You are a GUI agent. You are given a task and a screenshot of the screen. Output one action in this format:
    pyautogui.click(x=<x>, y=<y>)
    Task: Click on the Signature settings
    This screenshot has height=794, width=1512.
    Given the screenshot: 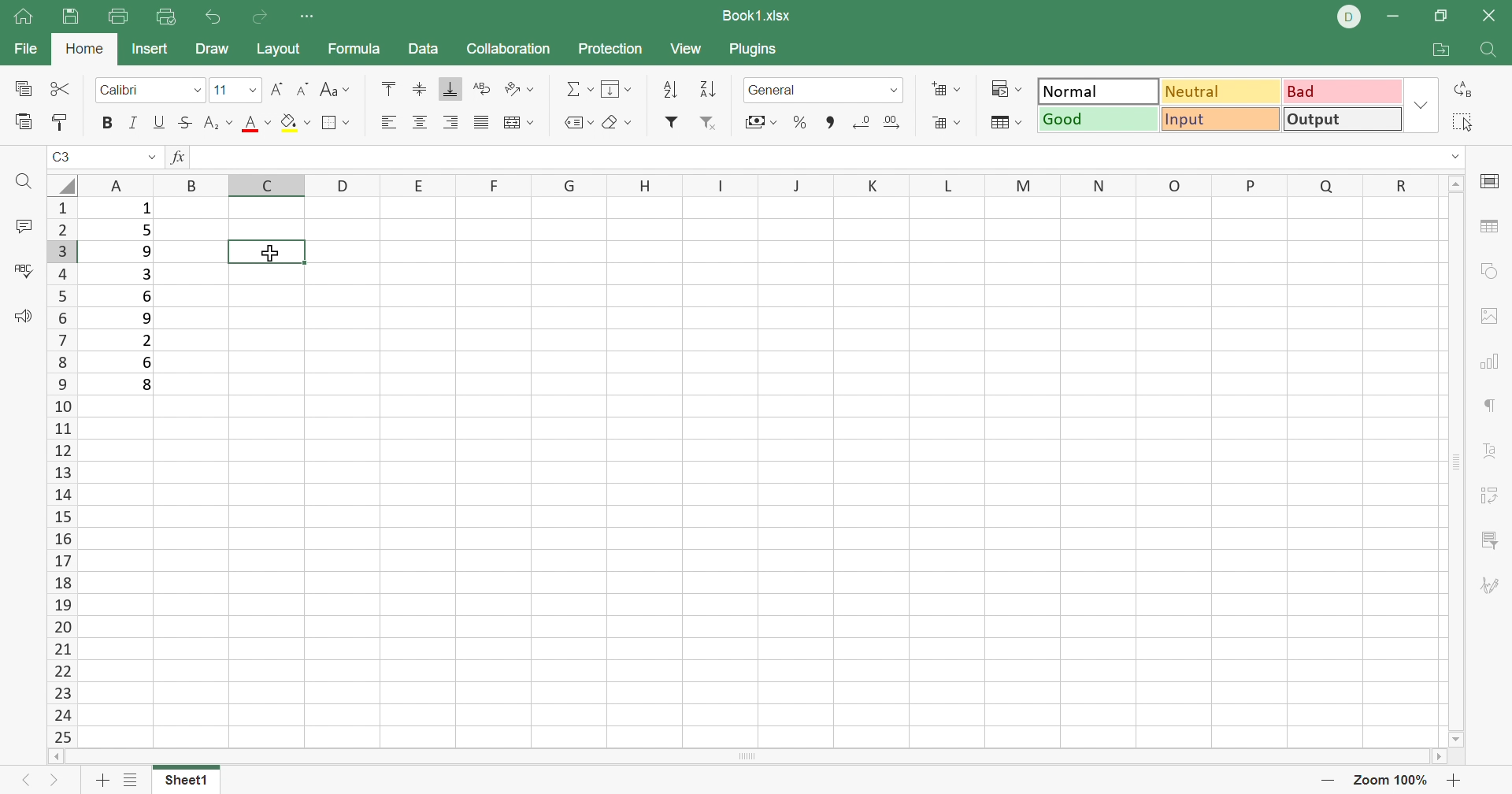 What is the action you would take?
    pyautogui.click(x=1492, y=589)
    